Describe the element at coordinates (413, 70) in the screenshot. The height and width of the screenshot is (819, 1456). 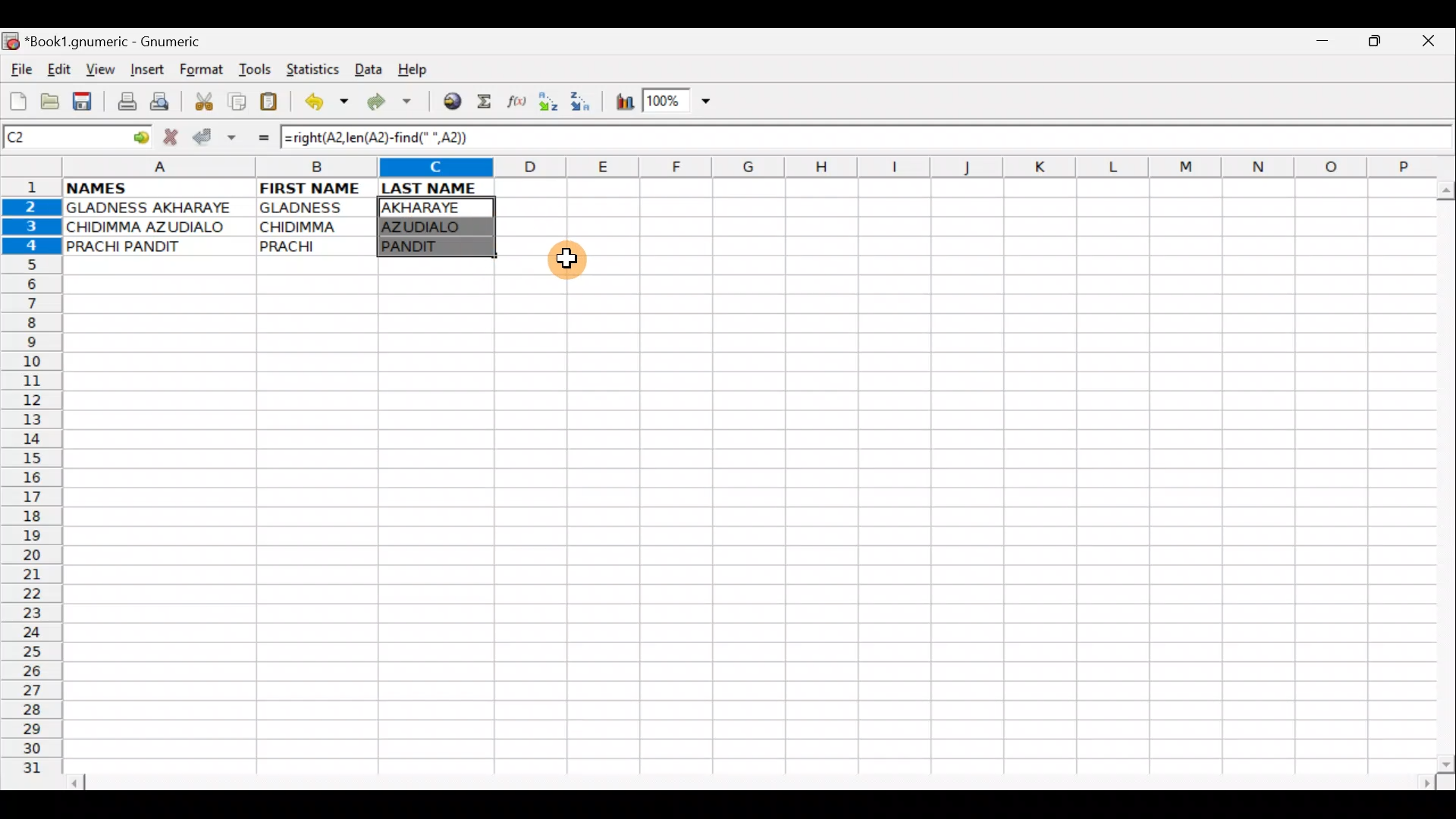
I see `Help` at that location.